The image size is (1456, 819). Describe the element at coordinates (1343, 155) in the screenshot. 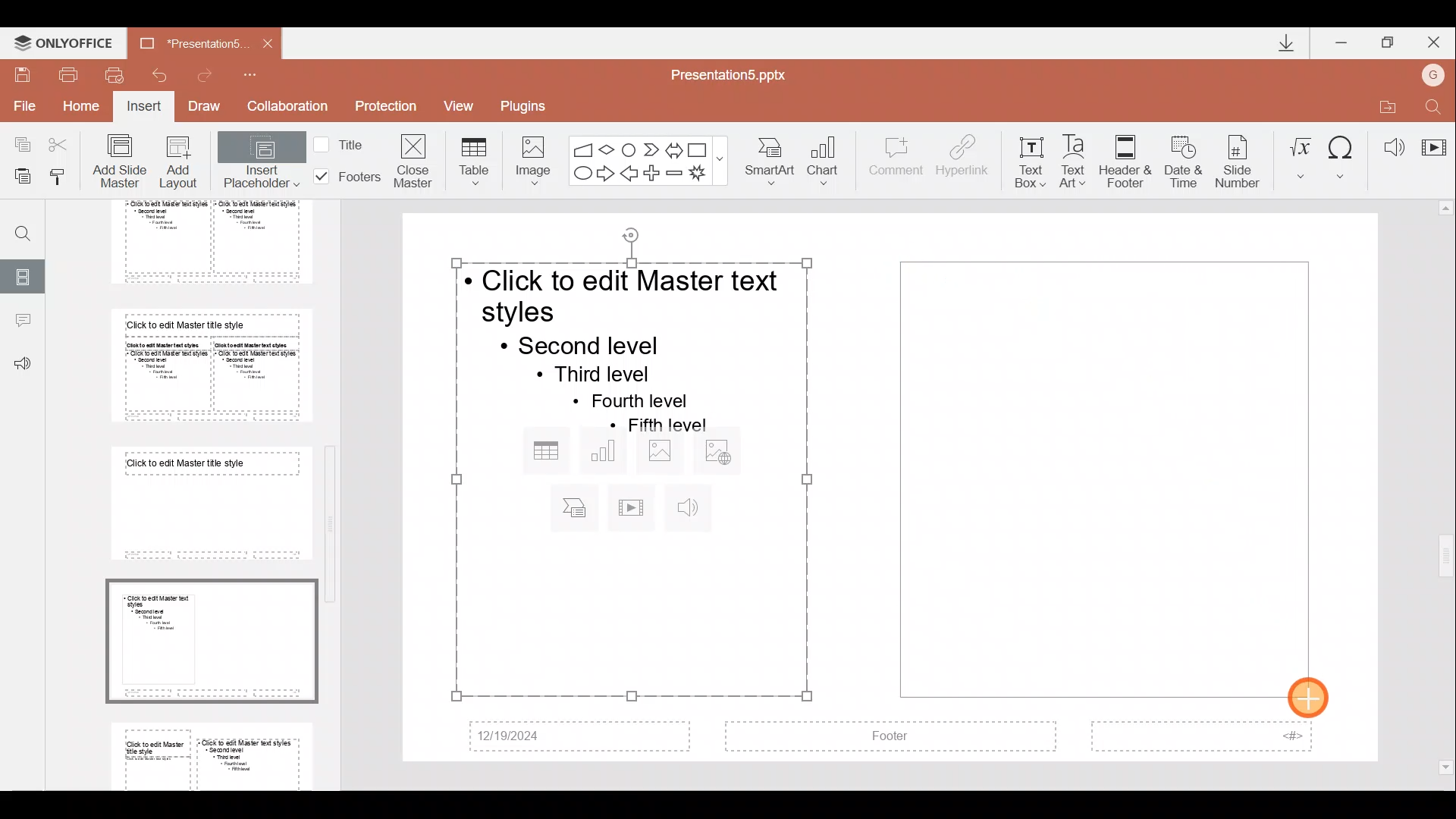

I see `Symbol` at that location.